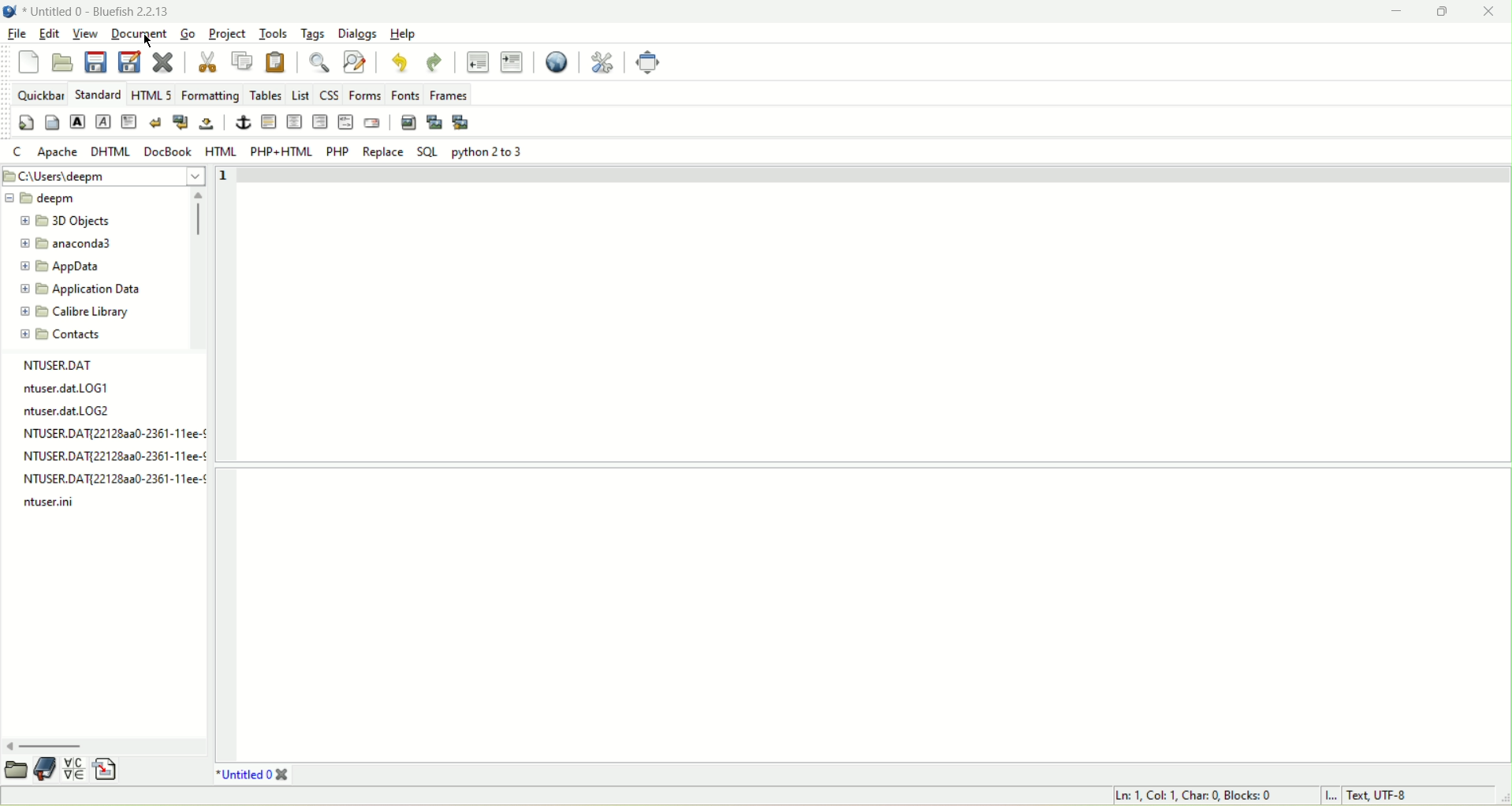 This screenshot has width=1512, height=806. Describe the element at coordinates (210, 94) in the screenshot. I see `formatting` at that location.